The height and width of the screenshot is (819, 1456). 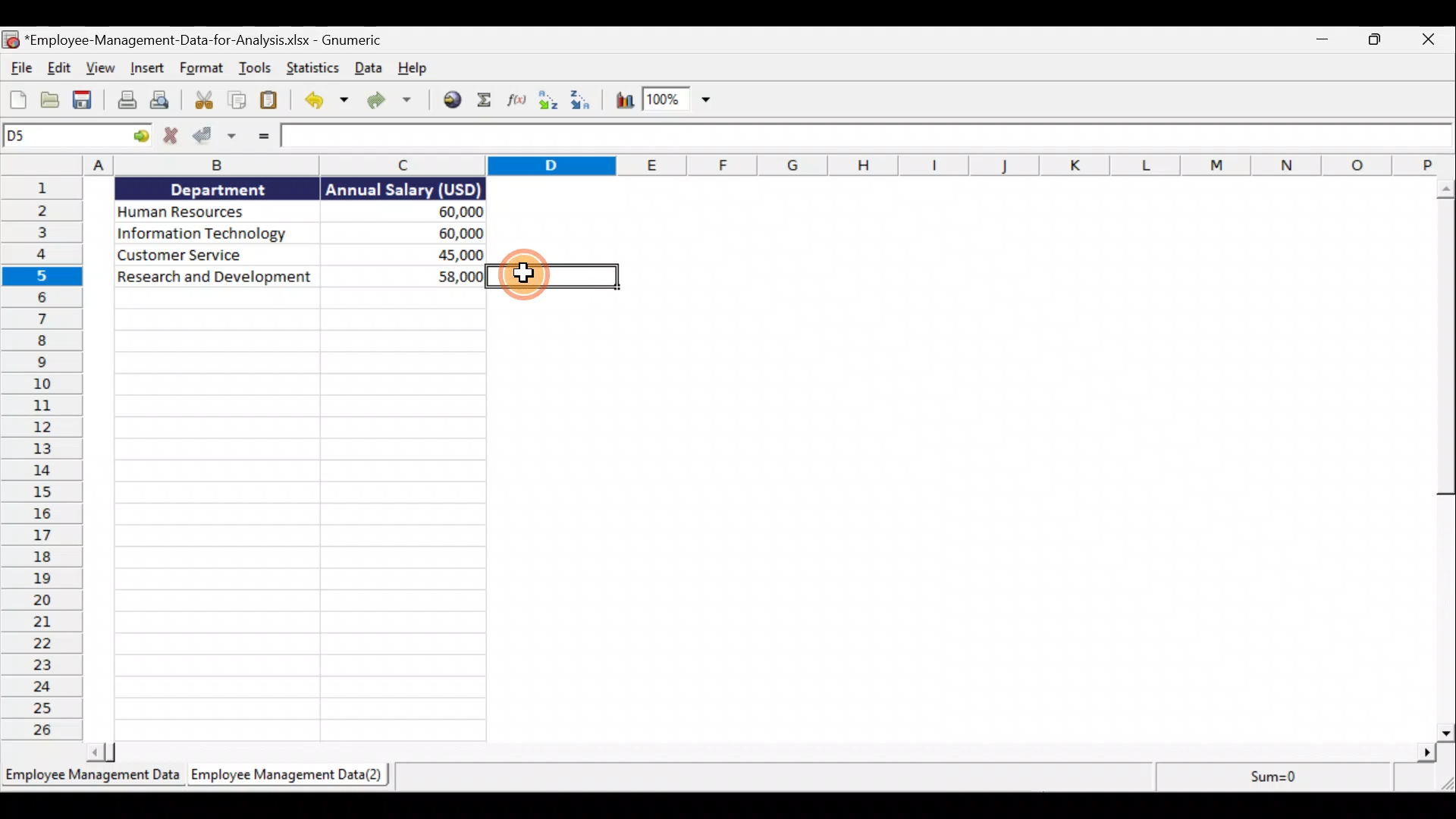 What do you see at coordinates (1430, 40) in the screenshot?
I see `Close` at bounding box center [1430, 40].